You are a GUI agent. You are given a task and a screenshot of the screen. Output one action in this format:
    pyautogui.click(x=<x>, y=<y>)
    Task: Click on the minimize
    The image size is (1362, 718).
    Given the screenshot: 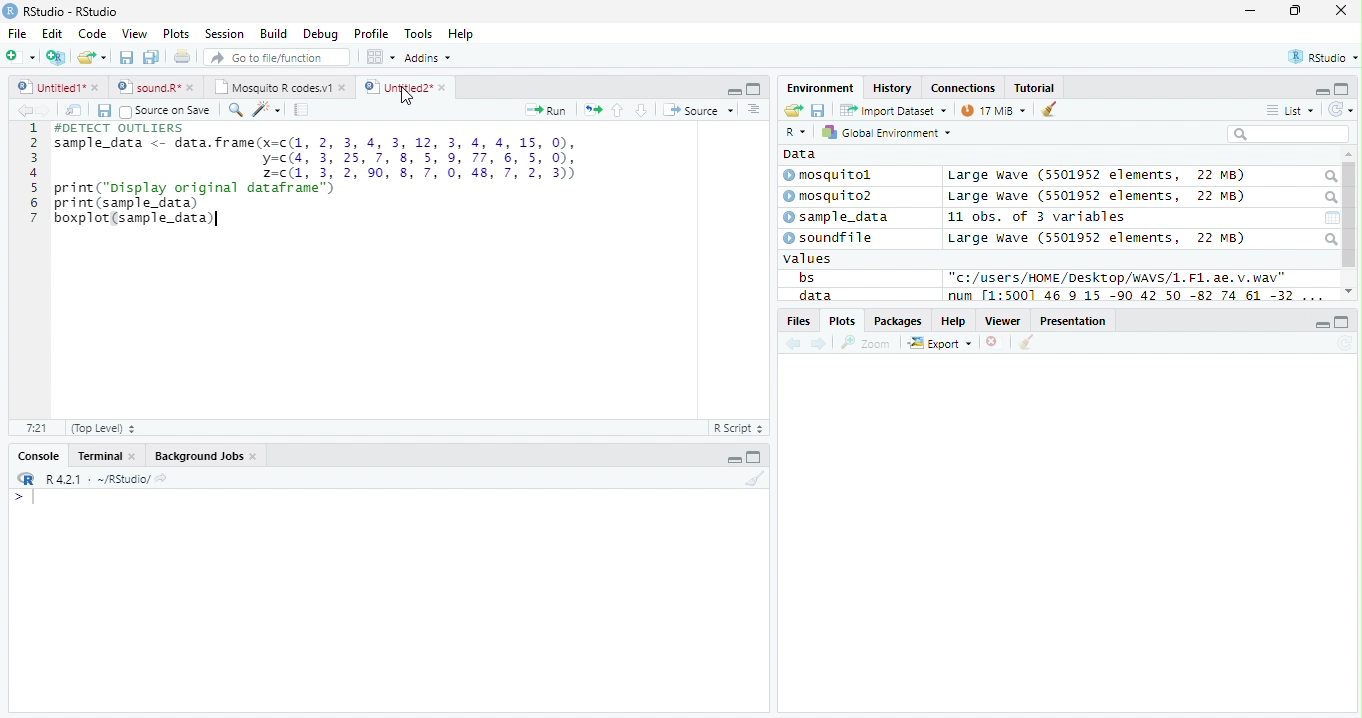 What is the action you would take?
    pyautogui.click(x=1252, y=10)
    